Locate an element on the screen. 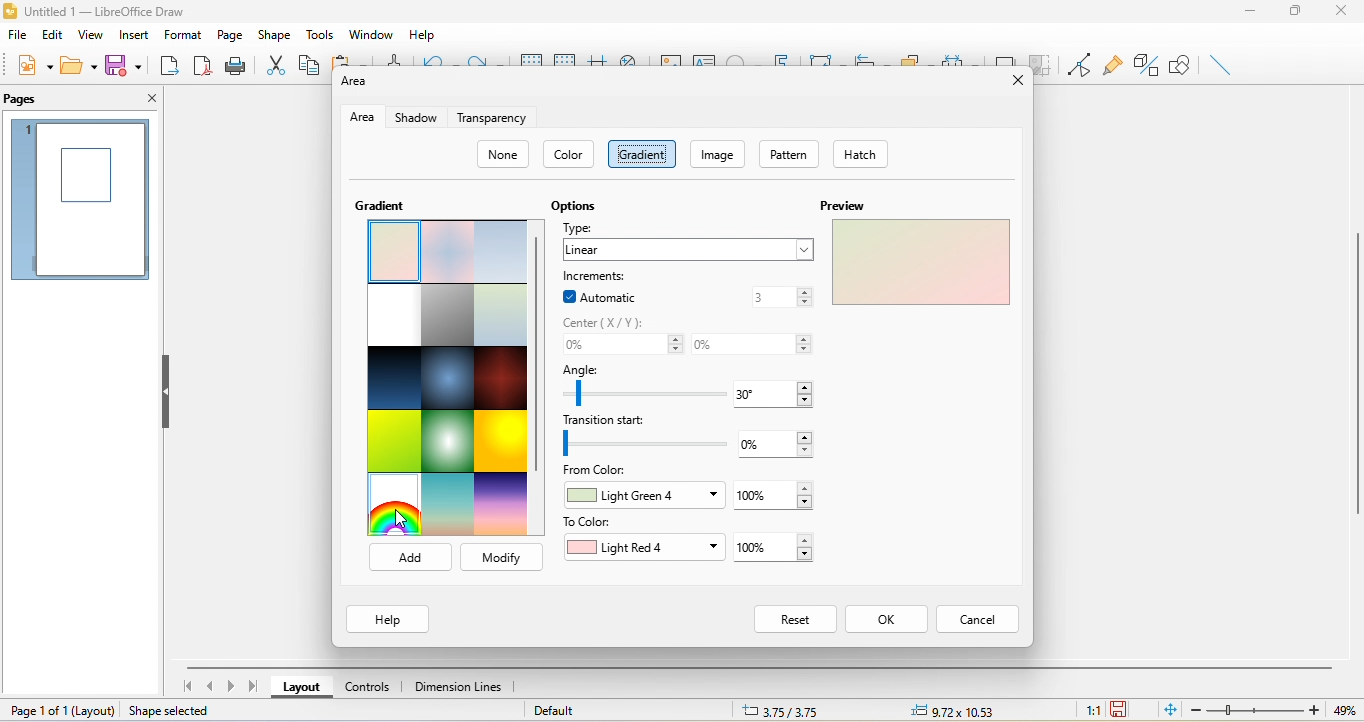 The image size is (1364, 722). 0% is located at coordinates (780, 444).